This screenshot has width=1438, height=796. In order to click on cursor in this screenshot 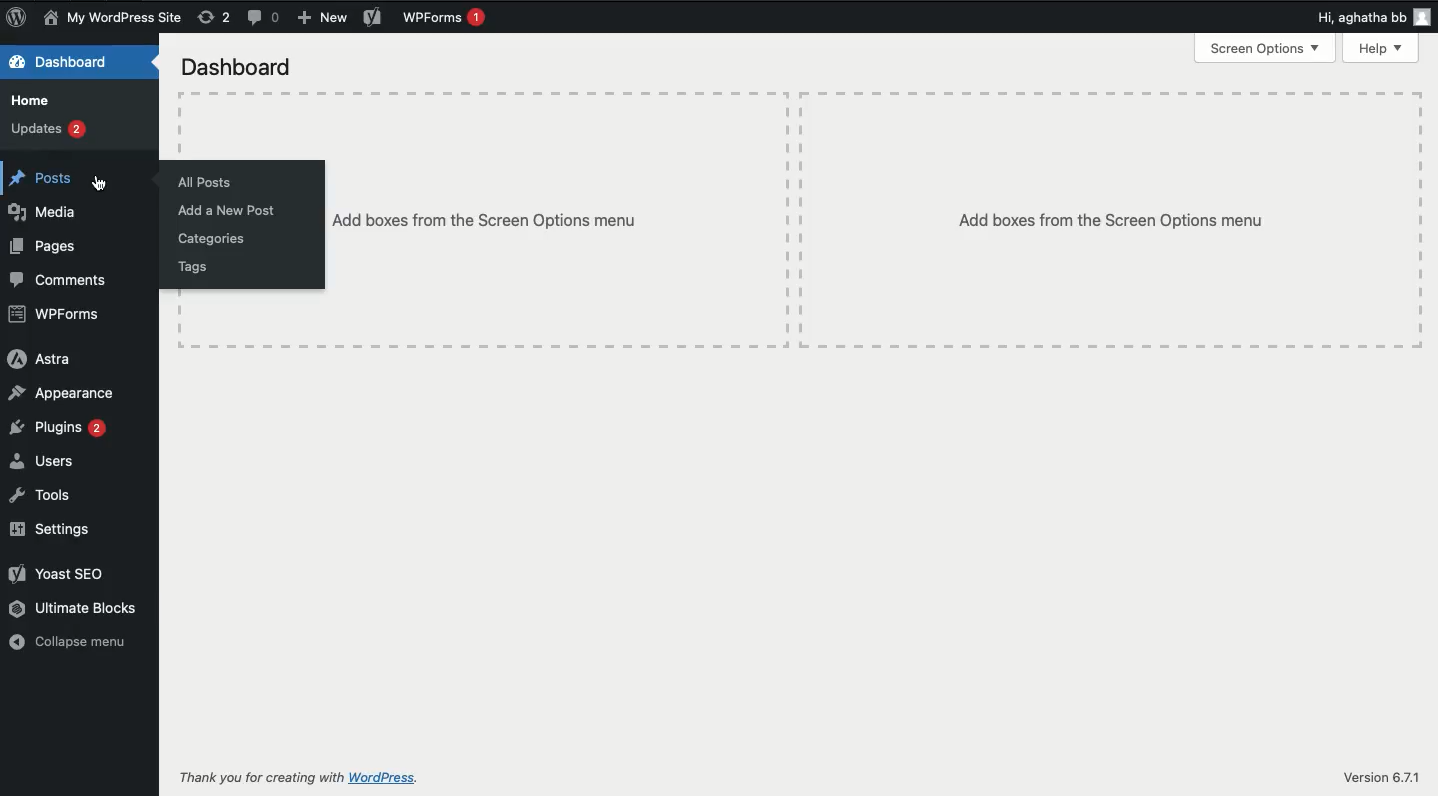, I will do `click(103, 183)`.